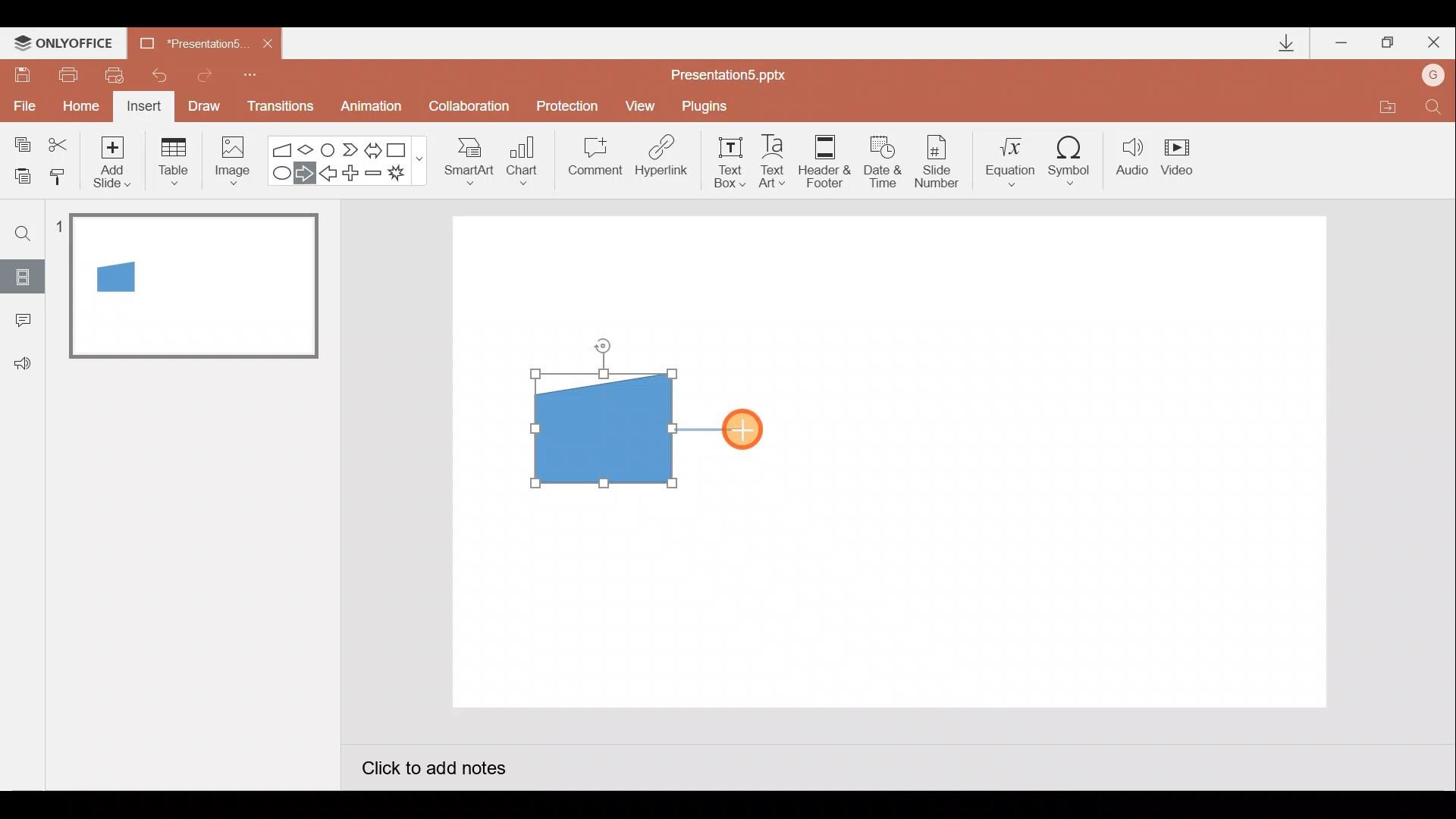 The image size is (1456, 819). What do you see at coordinates (600, 426) in the screenshot?
I see `Manual input flow chart ` at bounding box center [600, 426].